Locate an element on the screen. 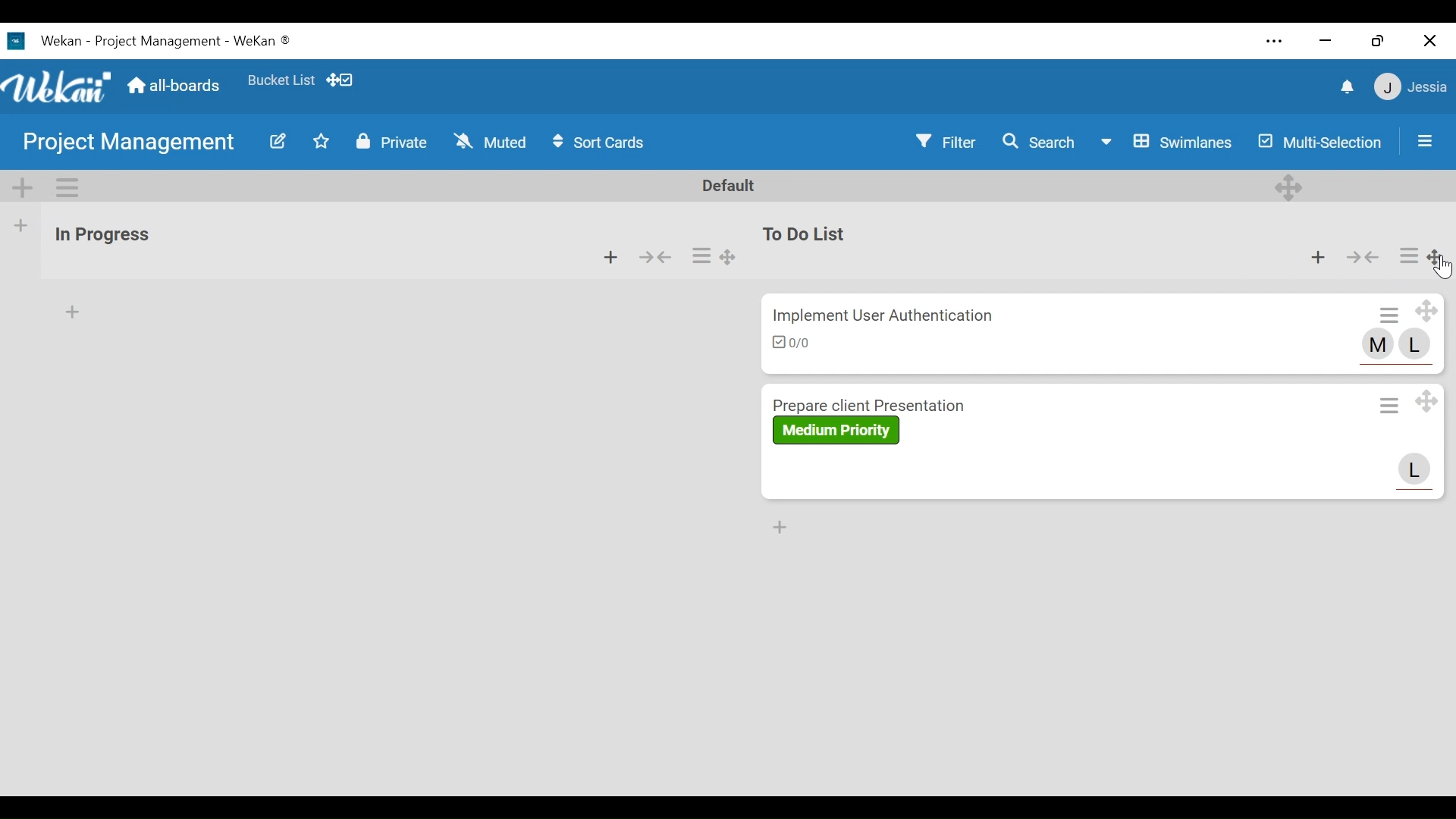 The width and height of the screenshot is (1456, 819). L is located at coordinates (1415, 469).